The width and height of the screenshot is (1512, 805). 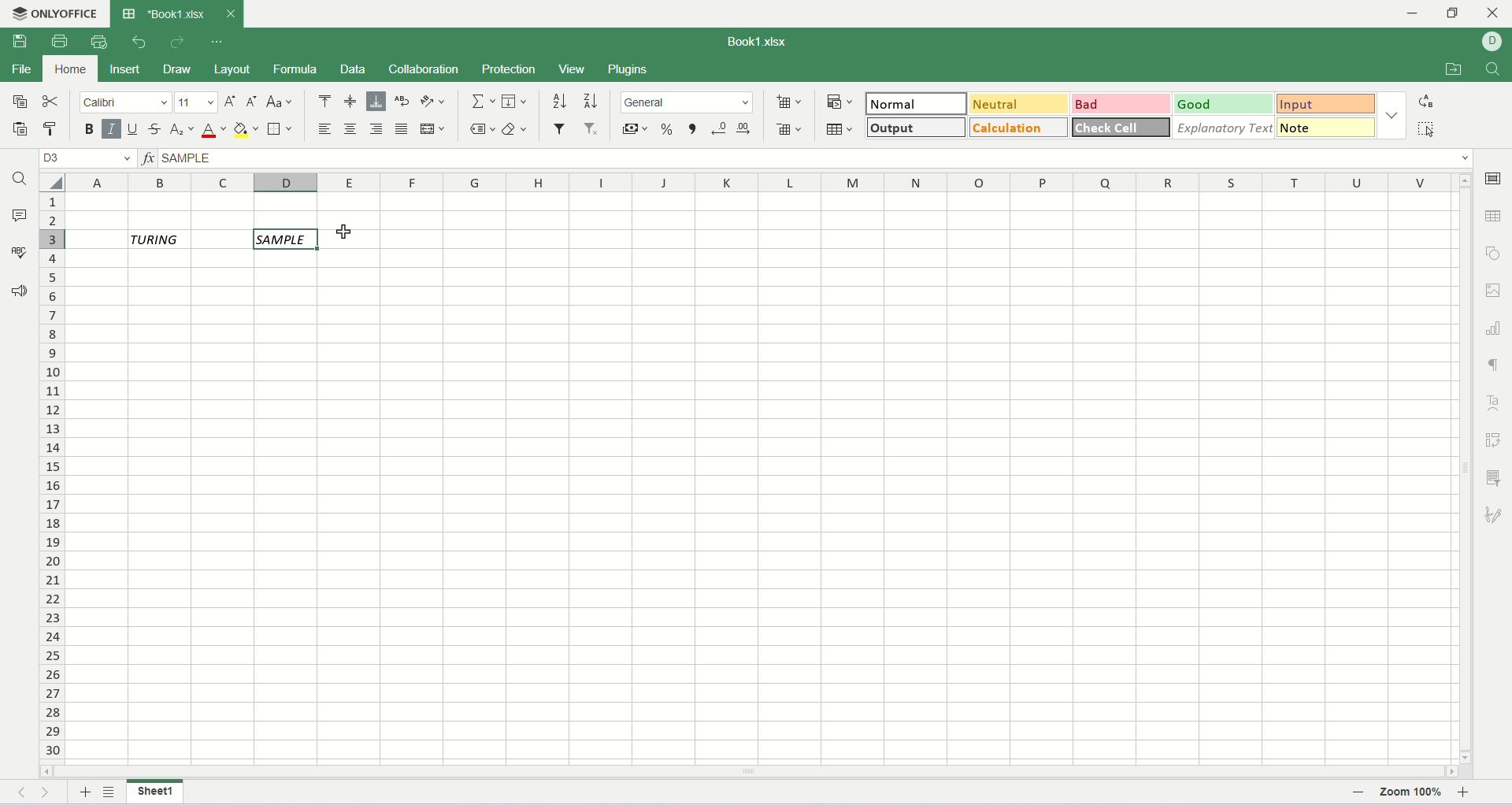 What do you see at coordinates (52, 13) in the screenshot?
I see `onlyoffice` at bounding box center [52, 13].